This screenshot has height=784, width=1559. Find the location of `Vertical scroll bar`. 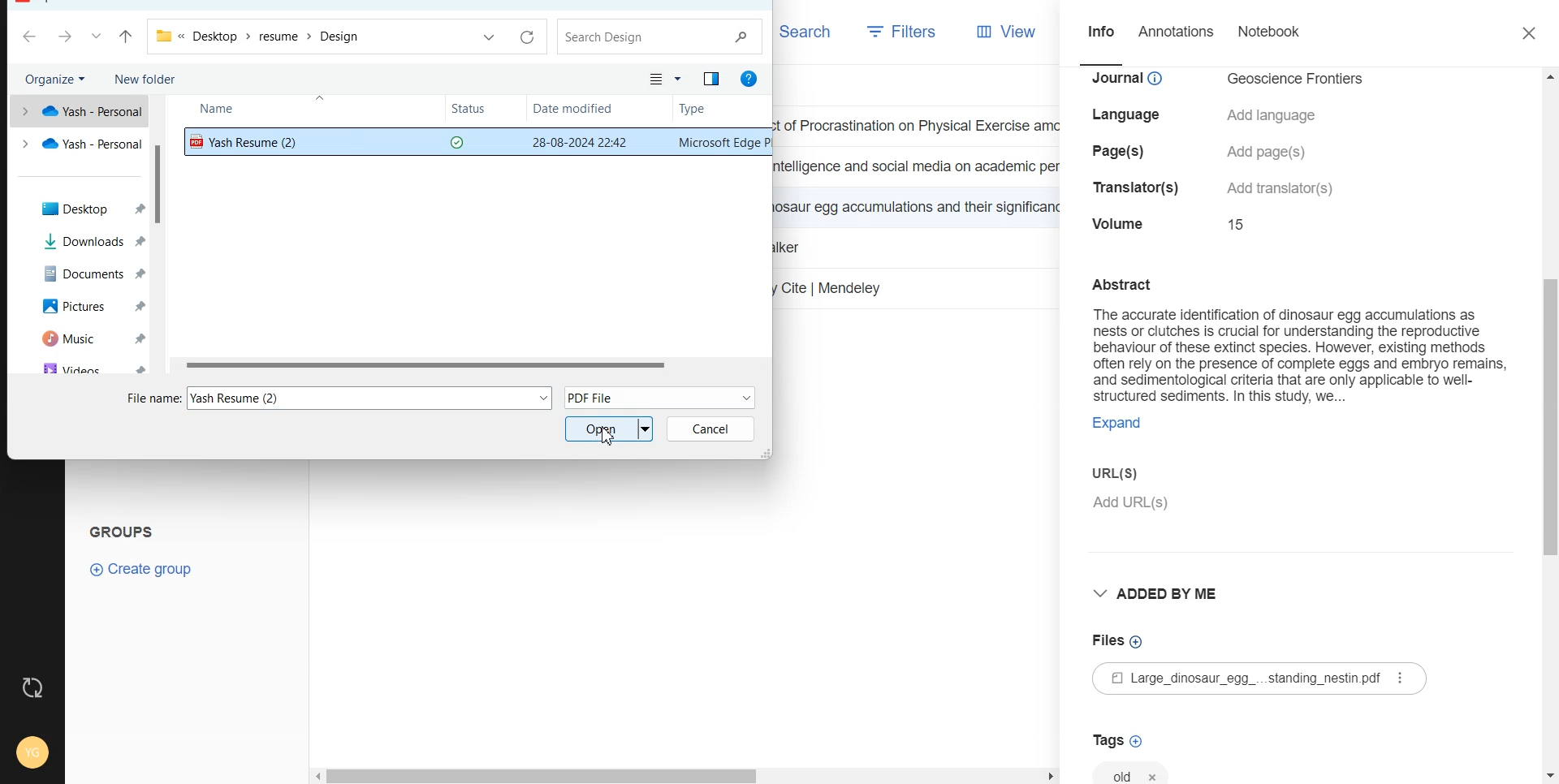

Vertical scroll bar is located at coordinates (162, 235).